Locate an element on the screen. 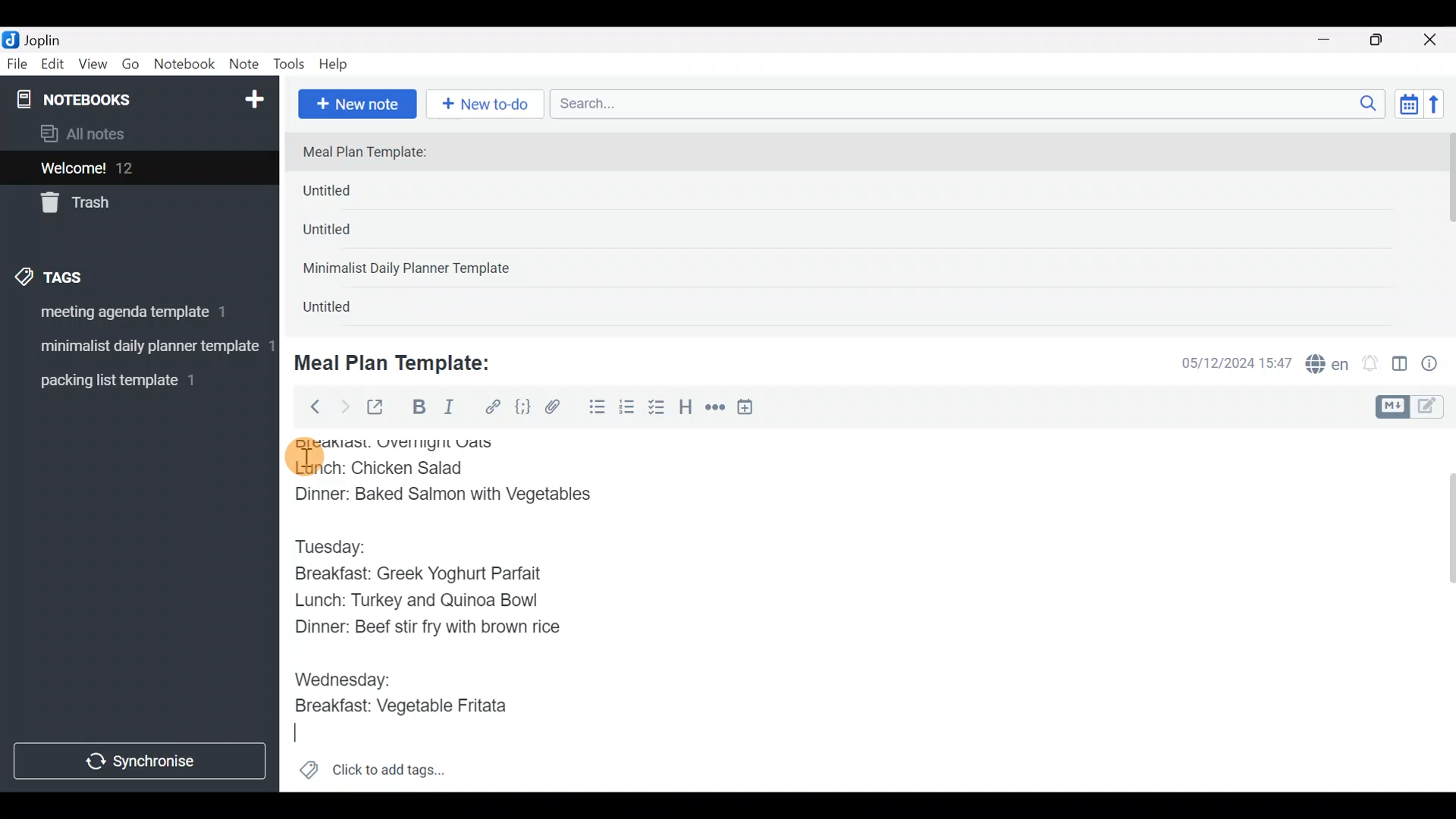 The width and height of the screenshot is (1456, 819). Breakfast: Vegetable Fritata is located at coordinates (414, 707).